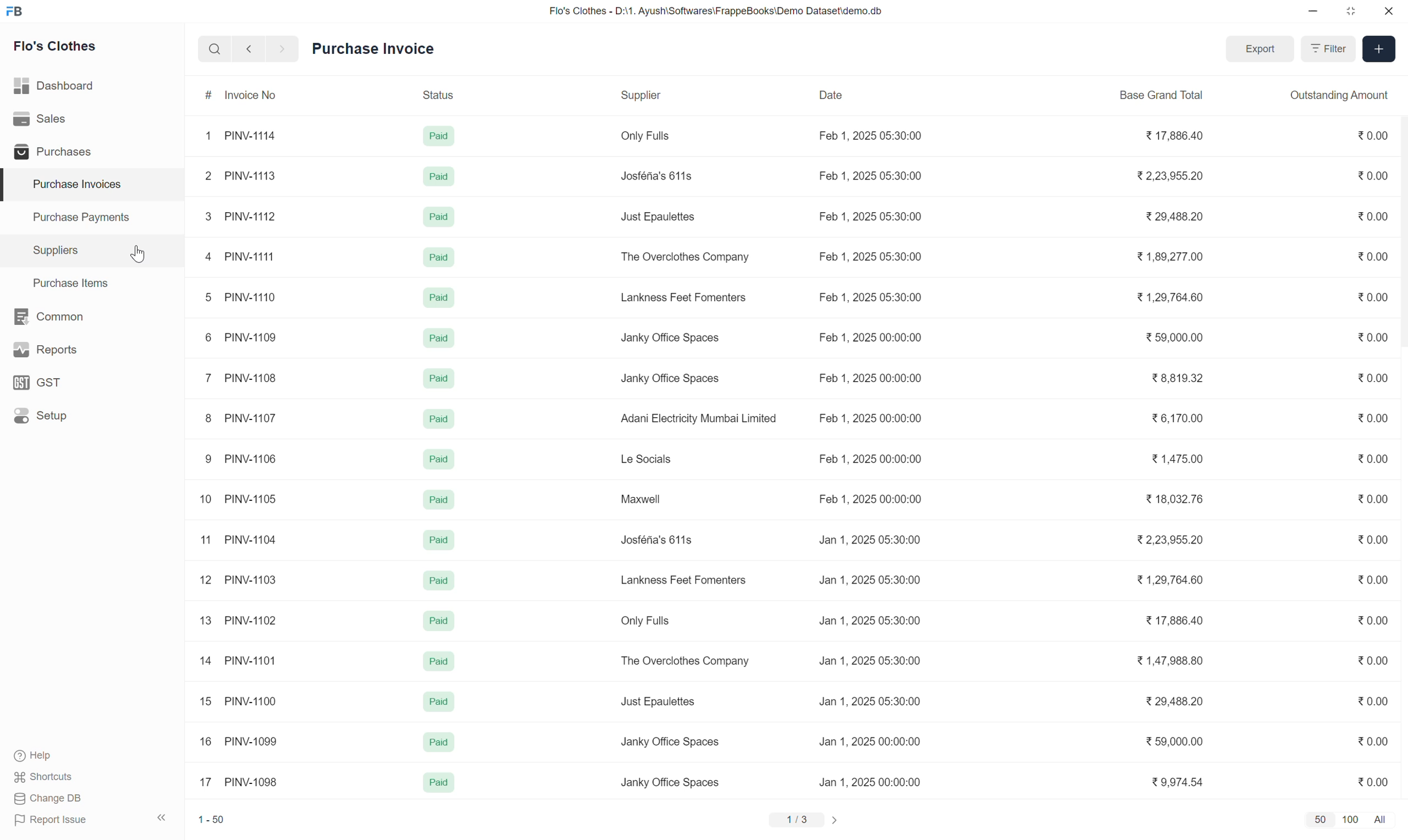 The height and width of the screenshot is (840, 1408). I want to click on paid, so click(437, 620).